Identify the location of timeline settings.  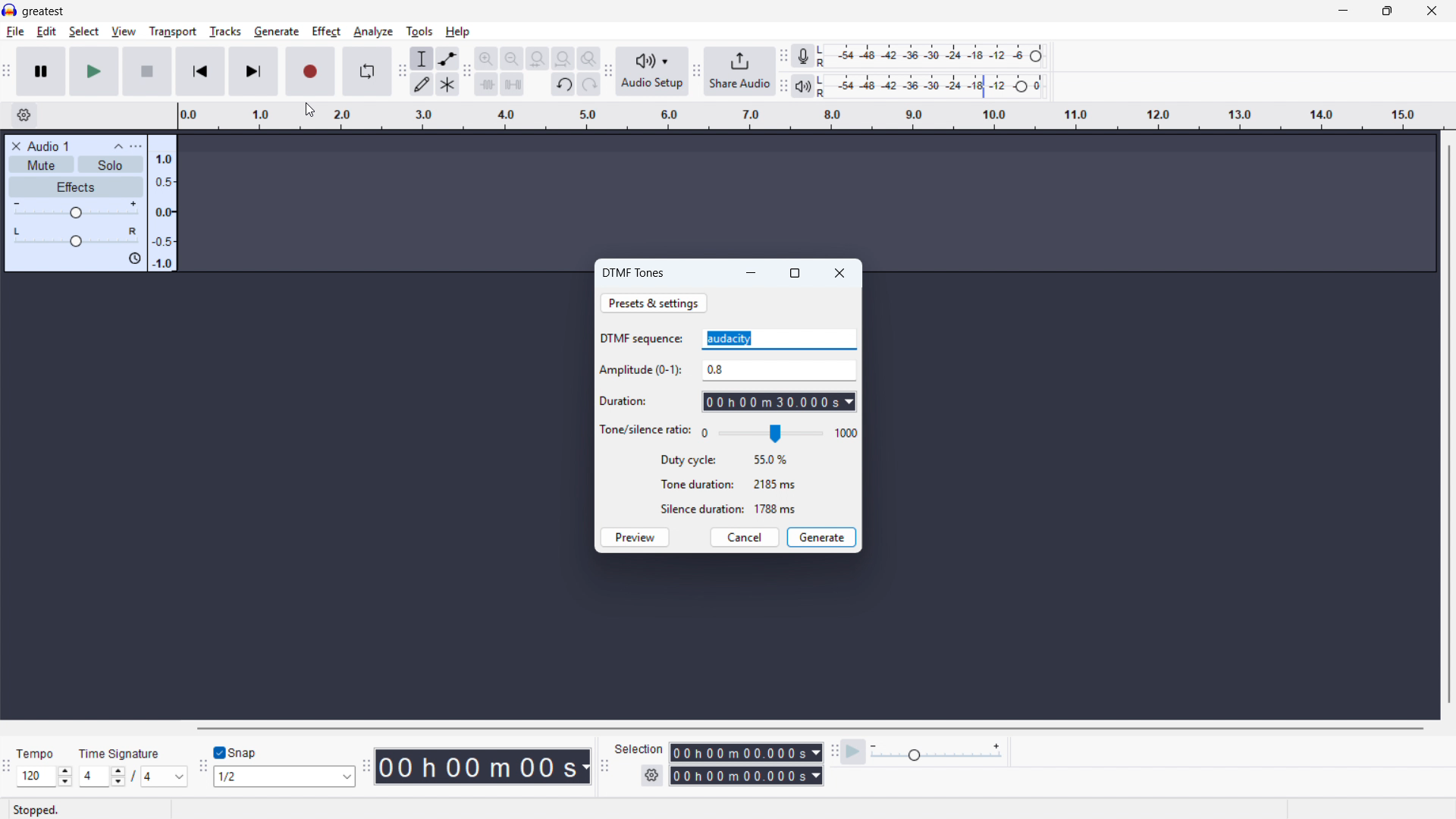
(24, 116).